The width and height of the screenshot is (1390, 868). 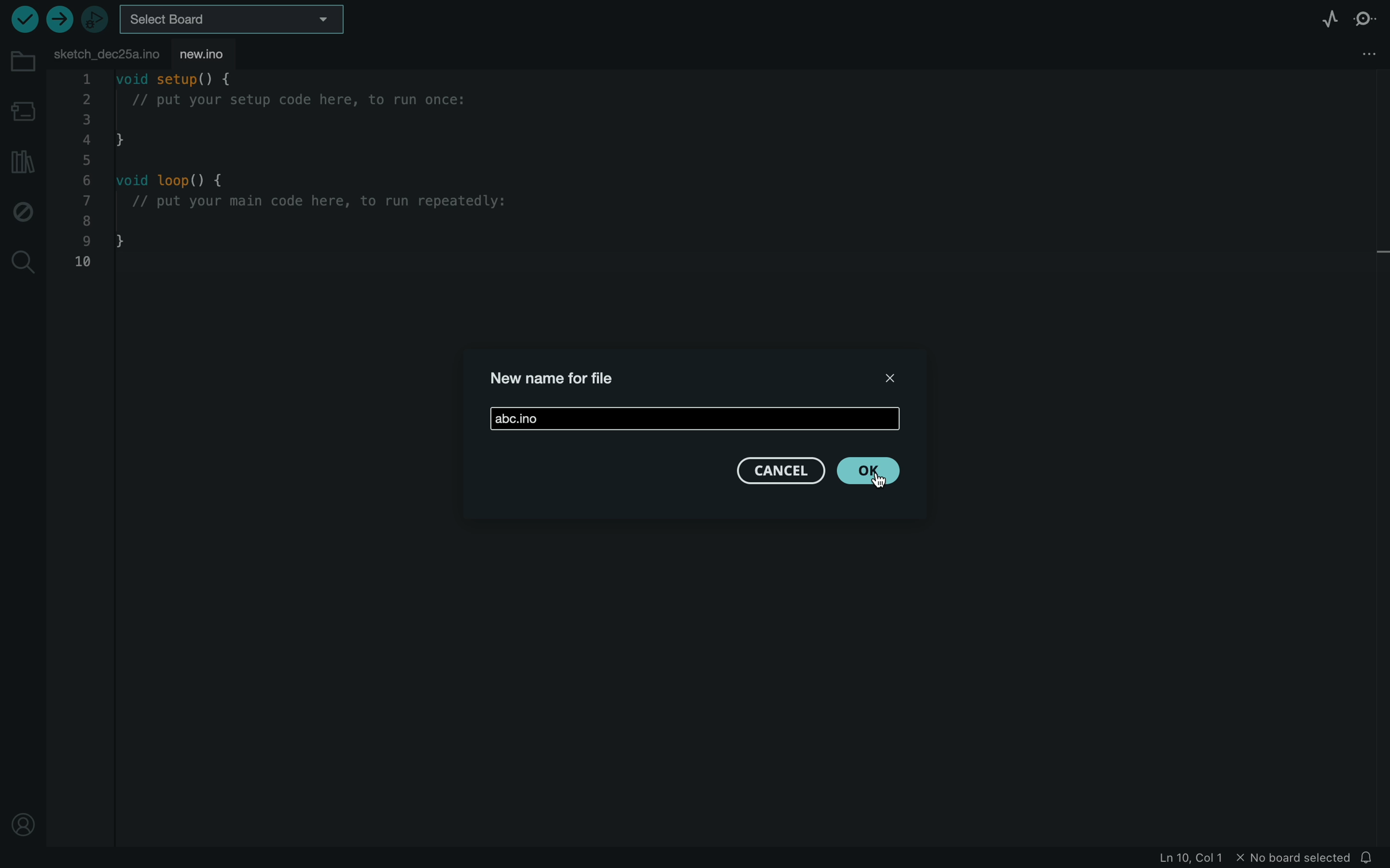 What do you see at coordinates (237, 19) in the screenshot?
I see `board selecter` at bounding box center [237, 19].